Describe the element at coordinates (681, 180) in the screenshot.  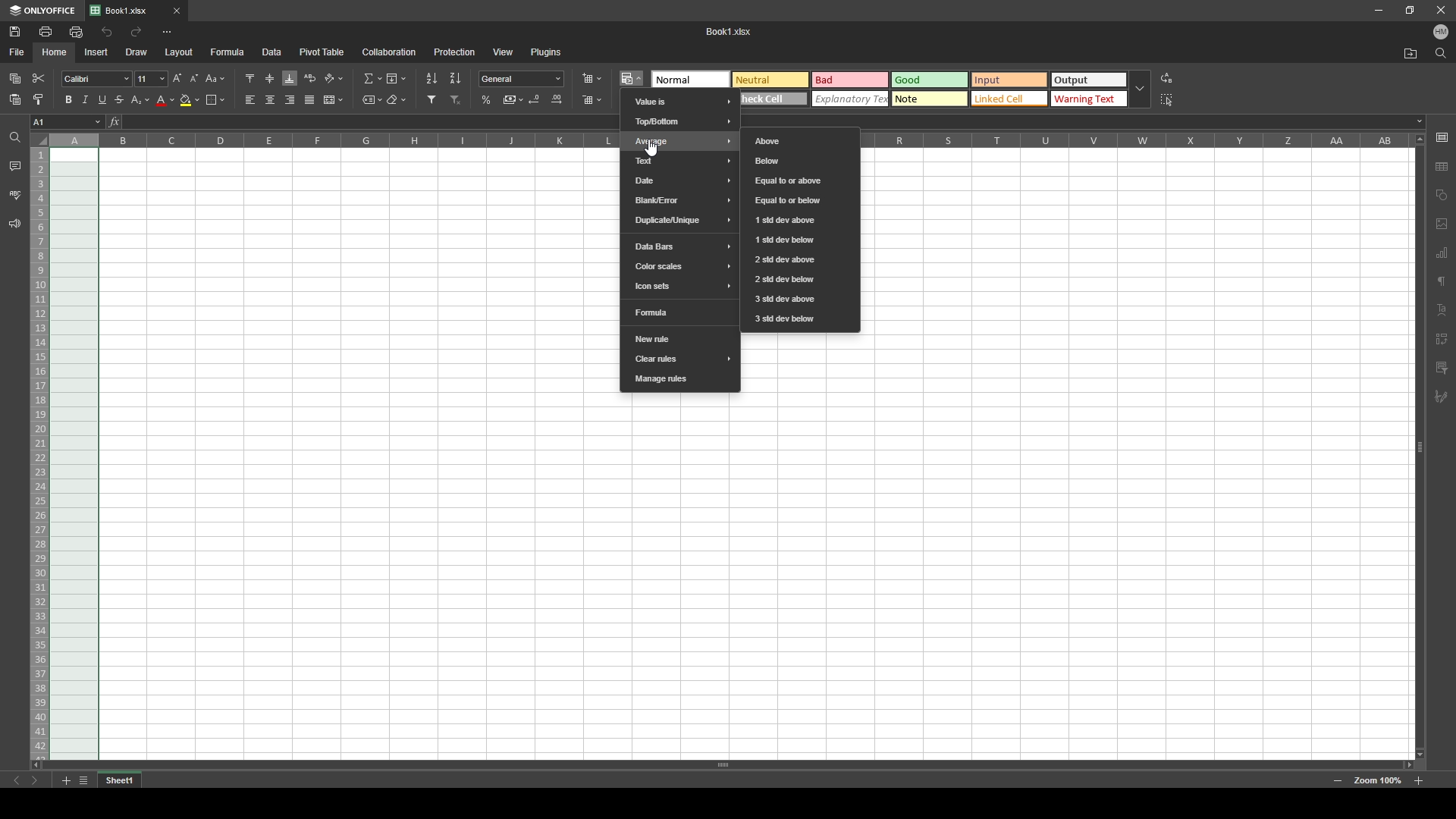
I see `date` at that location.